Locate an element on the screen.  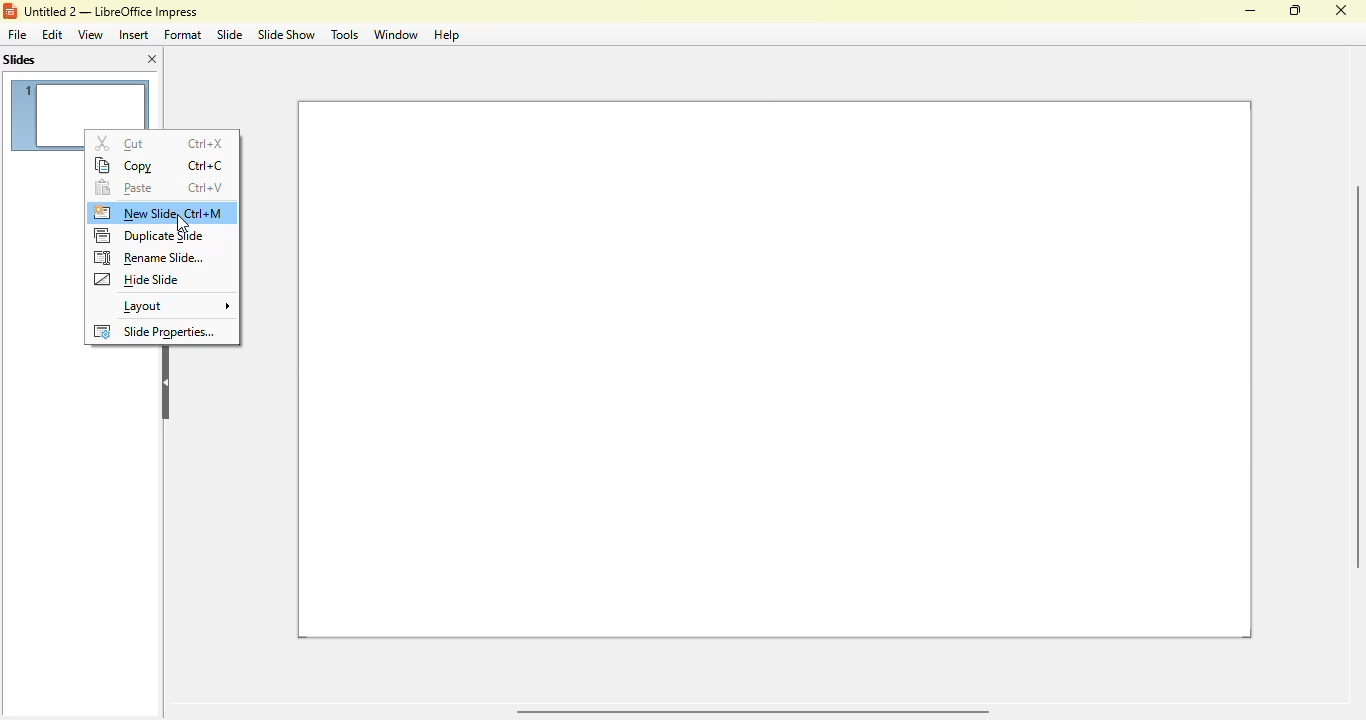
layout is located at coordinates (176, 305).